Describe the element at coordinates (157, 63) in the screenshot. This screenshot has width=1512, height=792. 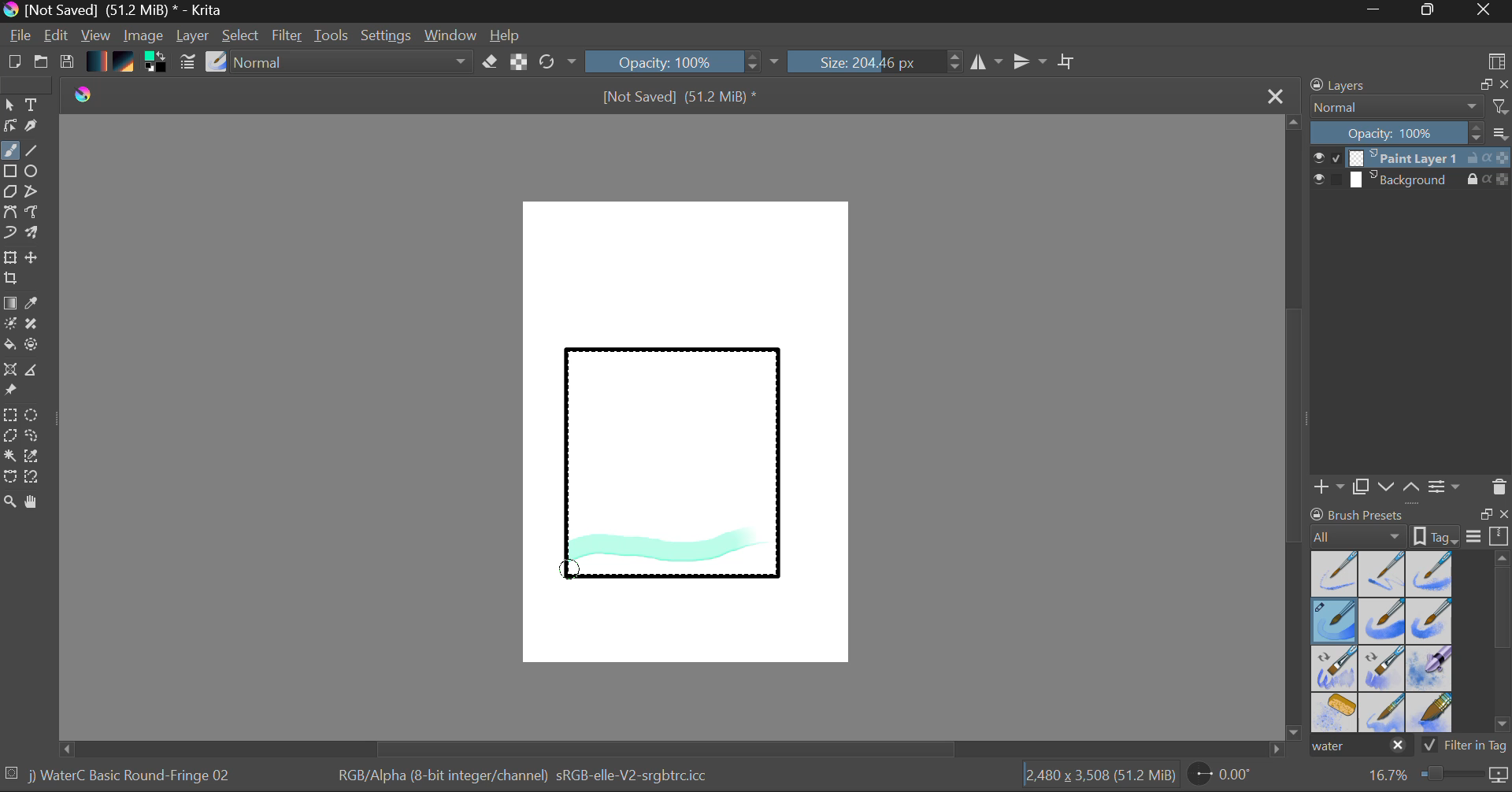
I see `Colors in use` at that location.